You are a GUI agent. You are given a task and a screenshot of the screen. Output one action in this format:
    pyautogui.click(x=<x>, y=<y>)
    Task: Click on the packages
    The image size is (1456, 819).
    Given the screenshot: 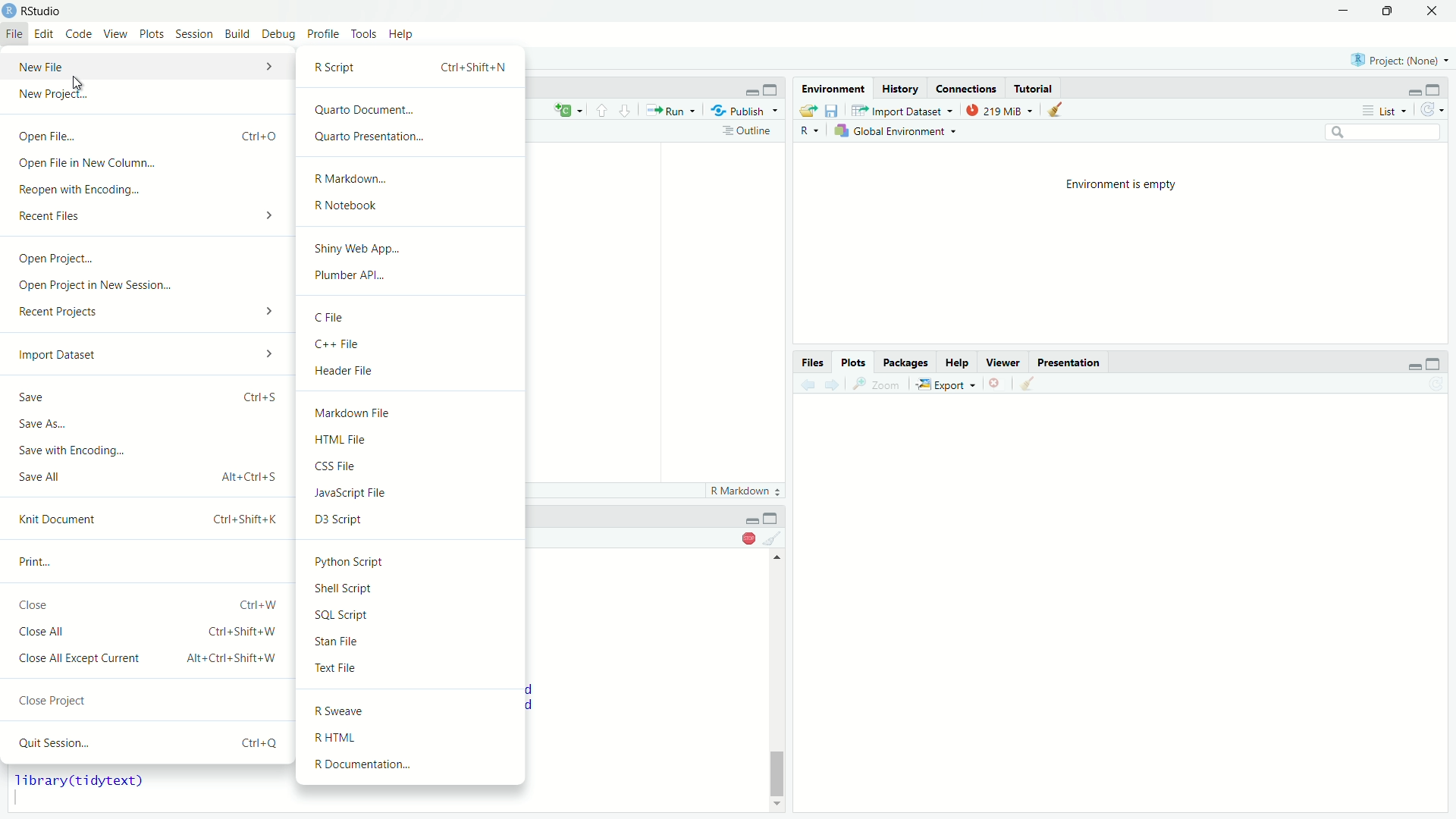 What is the action you would take?
    pyautogui.click(x=906, y=362)
    